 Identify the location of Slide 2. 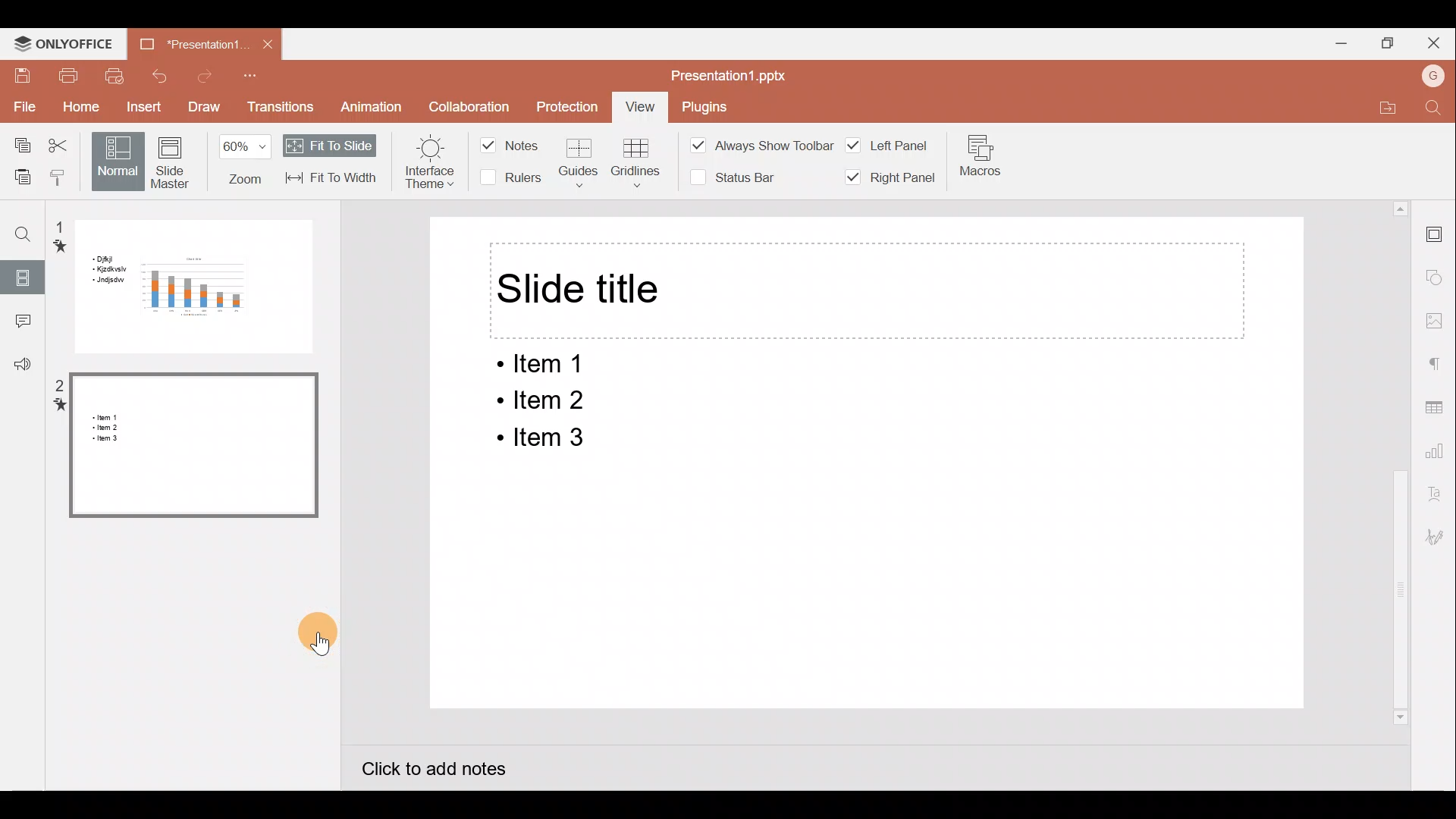
(177, 290).